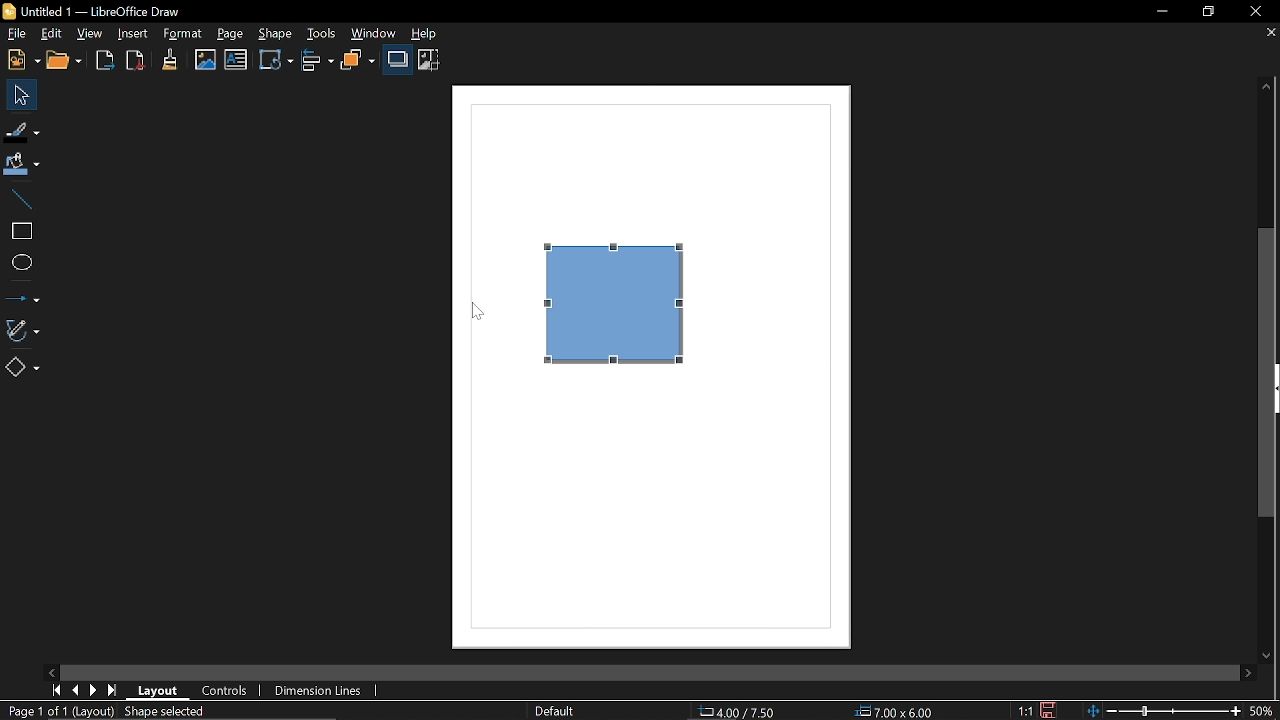  What do you see at coordinates (432, 33) in the screenshot?
I see `Help` at bounding box center [432, 33].